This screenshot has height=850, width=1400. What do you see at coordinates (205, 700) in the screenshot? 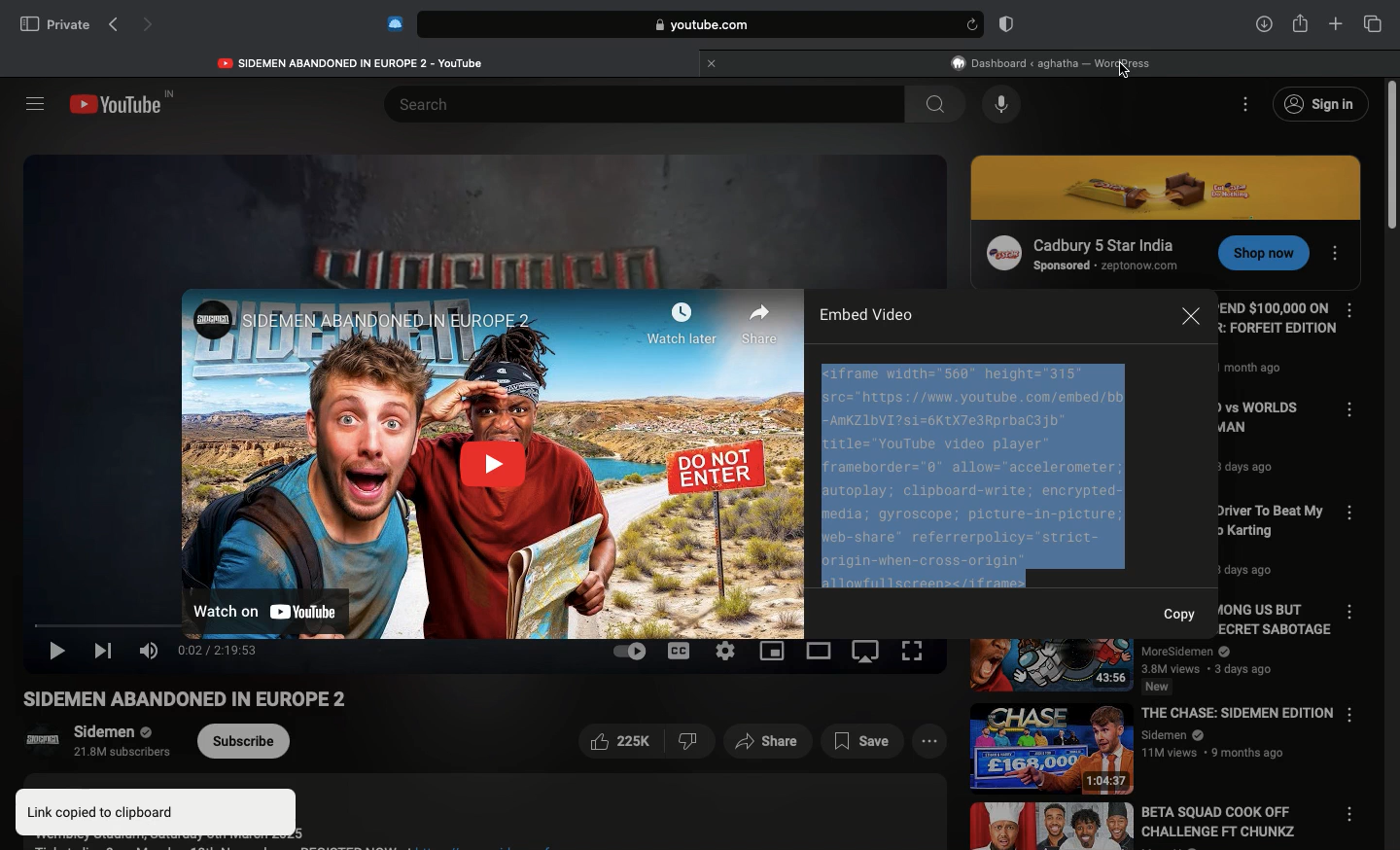
I see `Video name` at bounding box center [205, 700].